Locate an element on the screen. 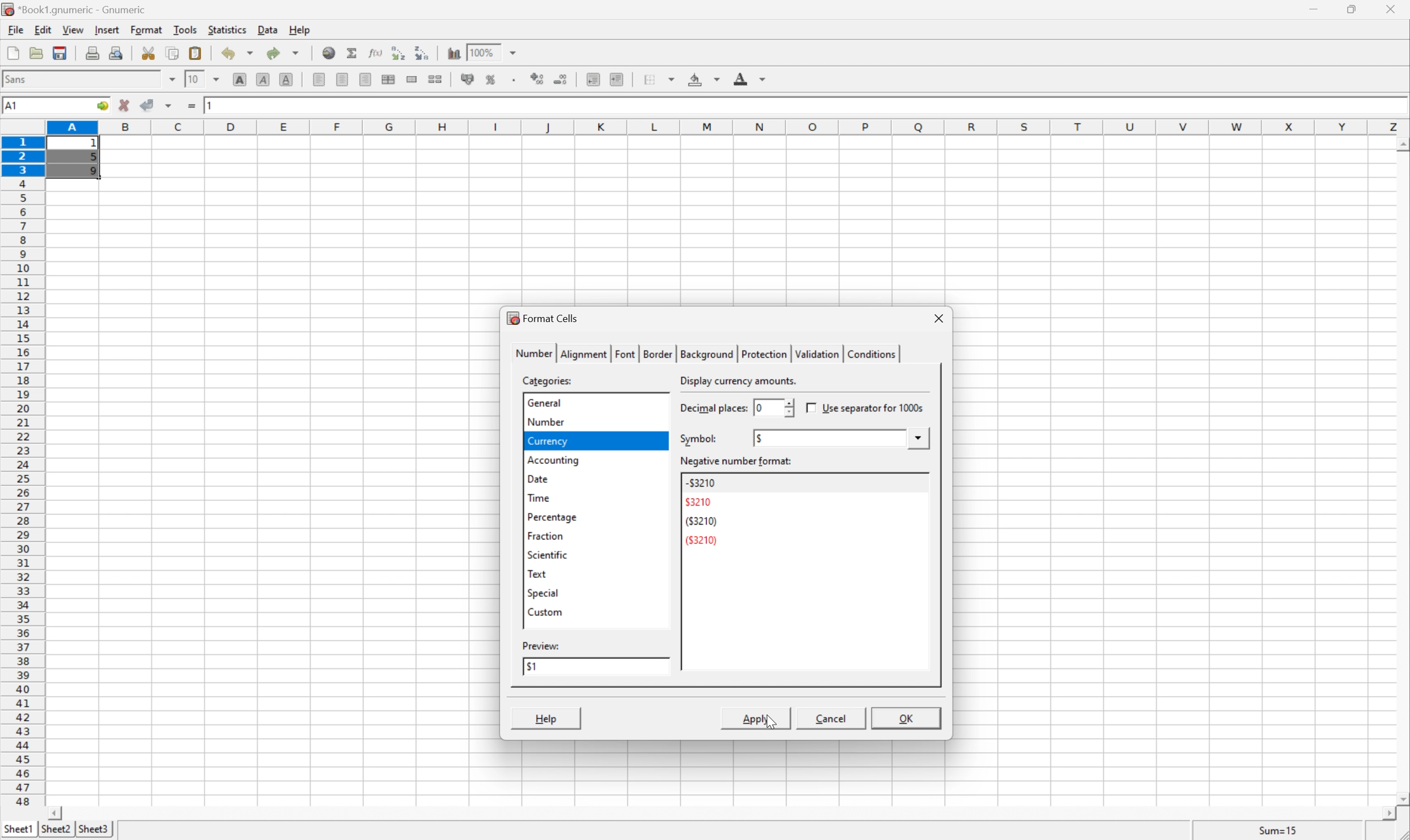  decrease indent is located at coordinates (594, 79).